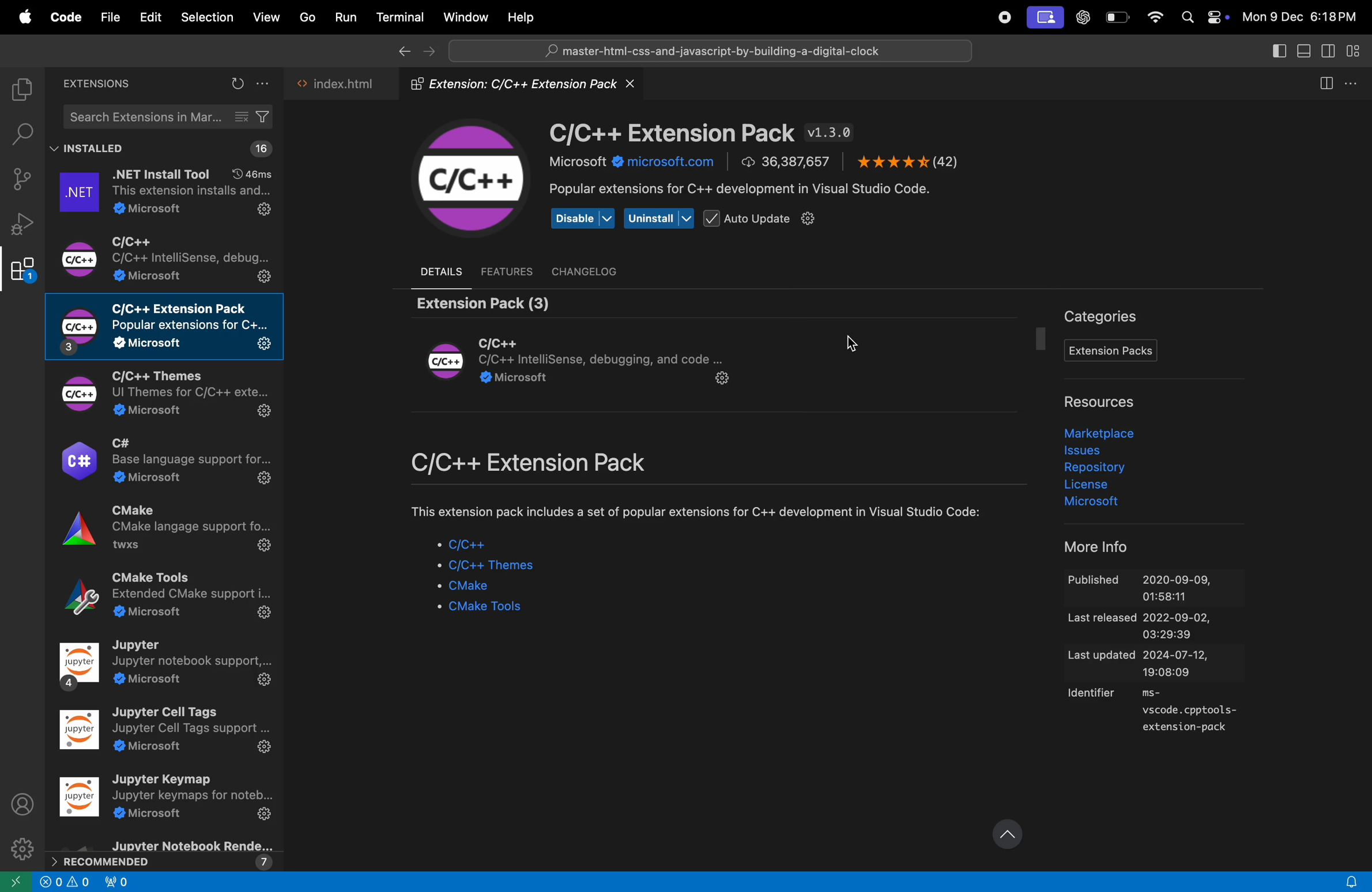 The image size is (1372, 892). What do you see at coordinates (703, 134) in the screenshot?
I see `C/C++ Extension version` at bounding box center [703, 134].